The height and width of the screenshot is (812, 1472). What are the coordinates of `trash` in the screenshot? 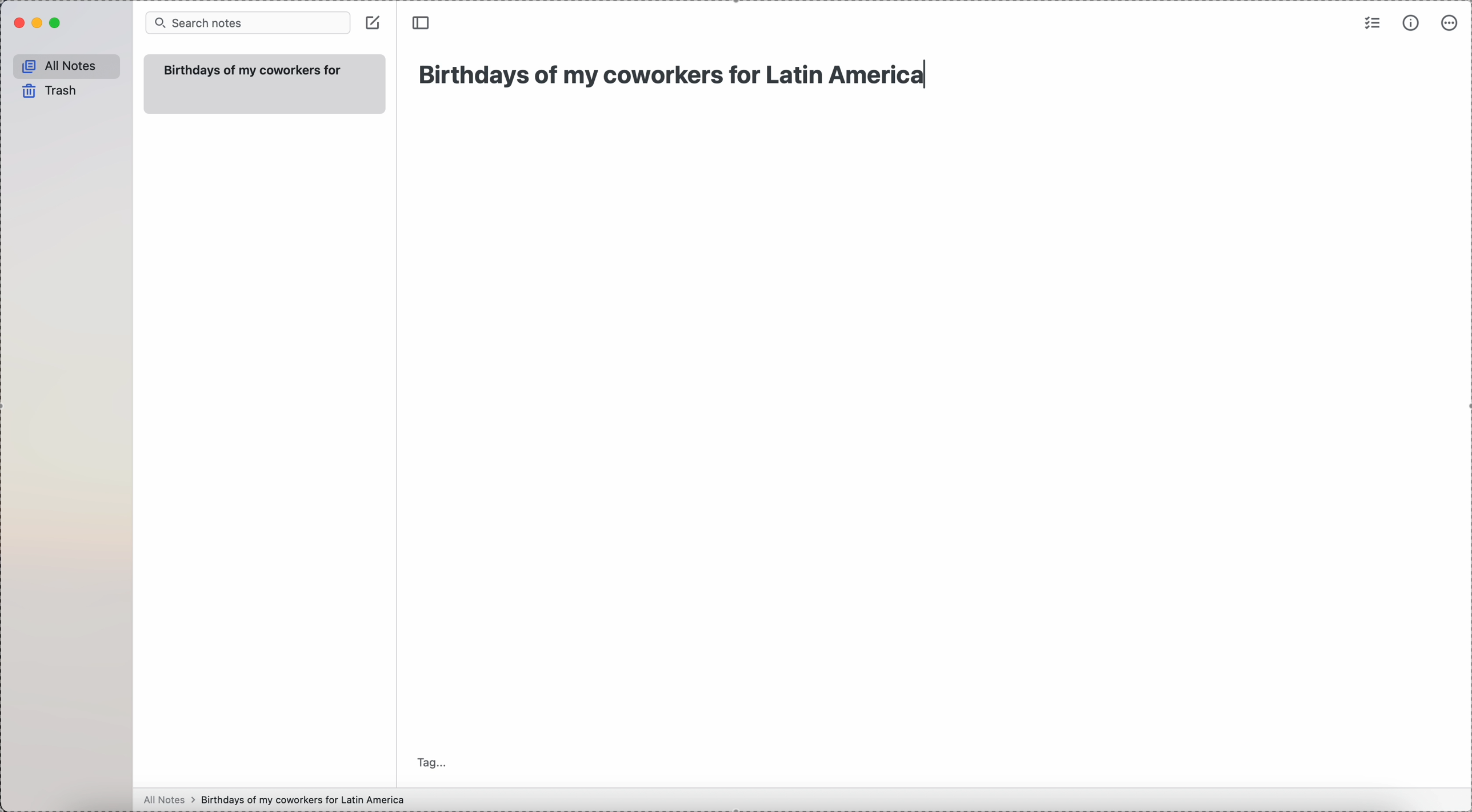 It's located at (51, 91).